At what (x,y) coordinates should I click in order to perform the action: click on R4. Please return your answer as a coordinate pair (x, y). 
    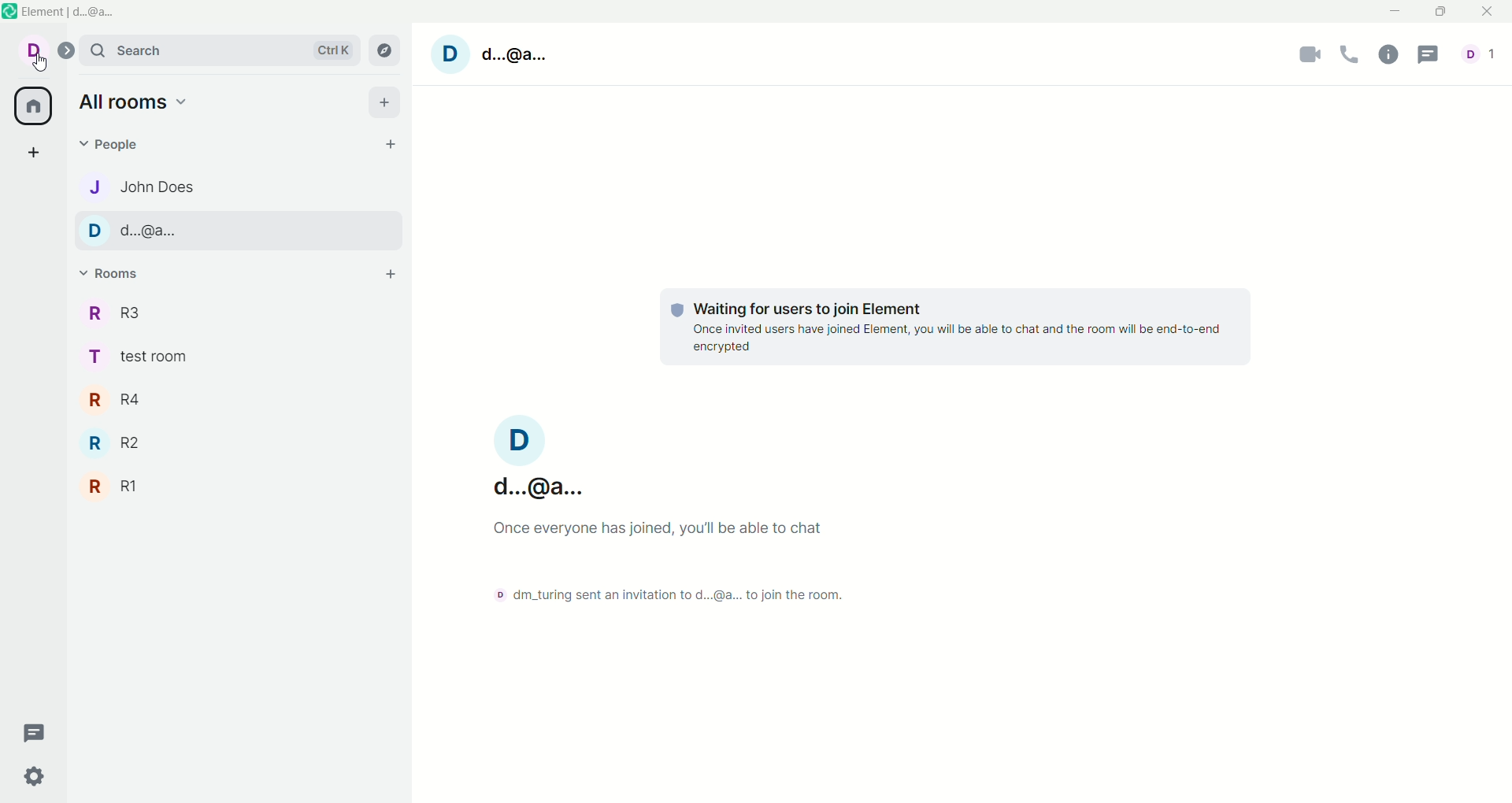
    Looking at the image, I should click on (121, 400).